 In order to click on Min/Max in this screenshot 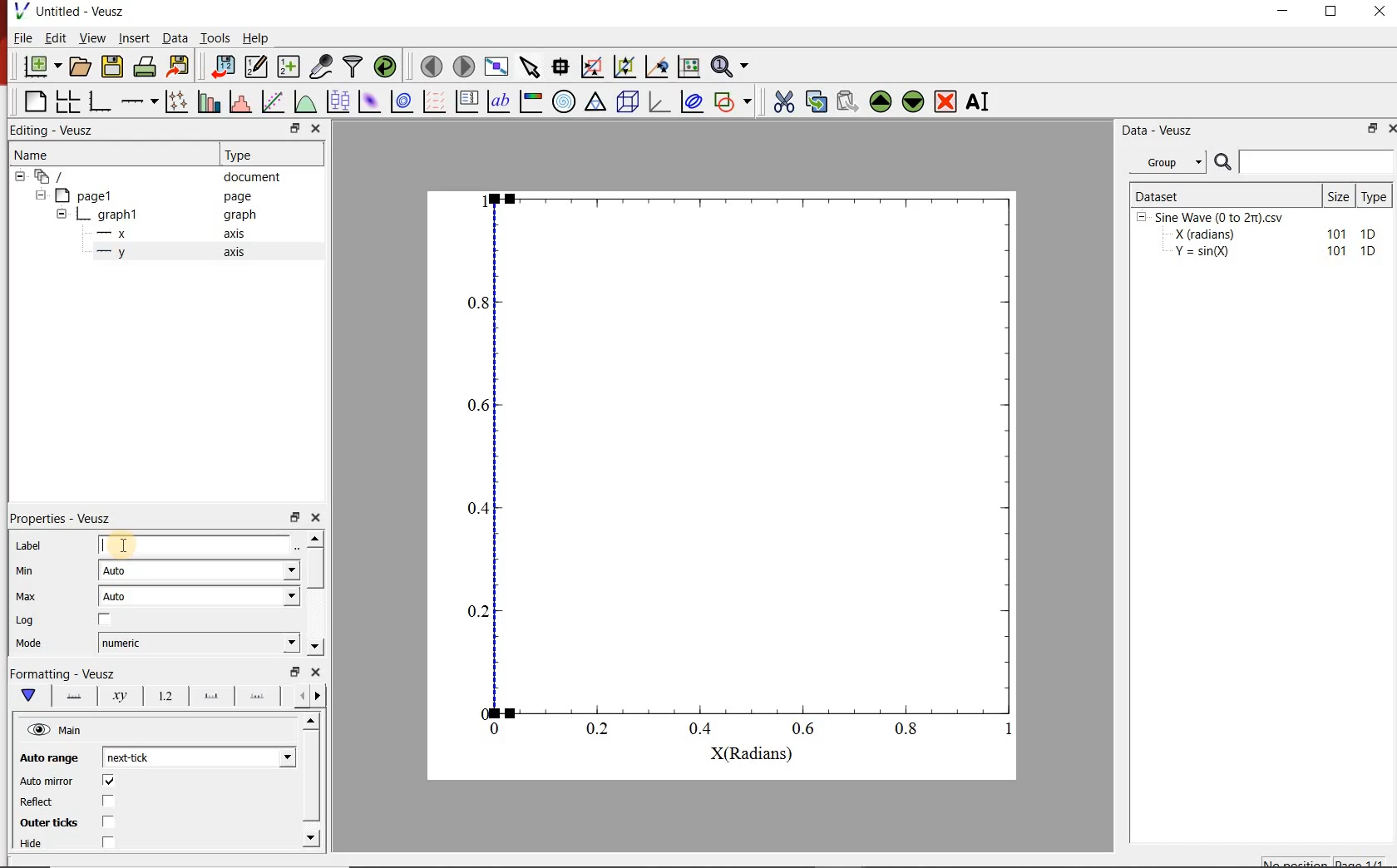, I will do `click(1370, 130)`.